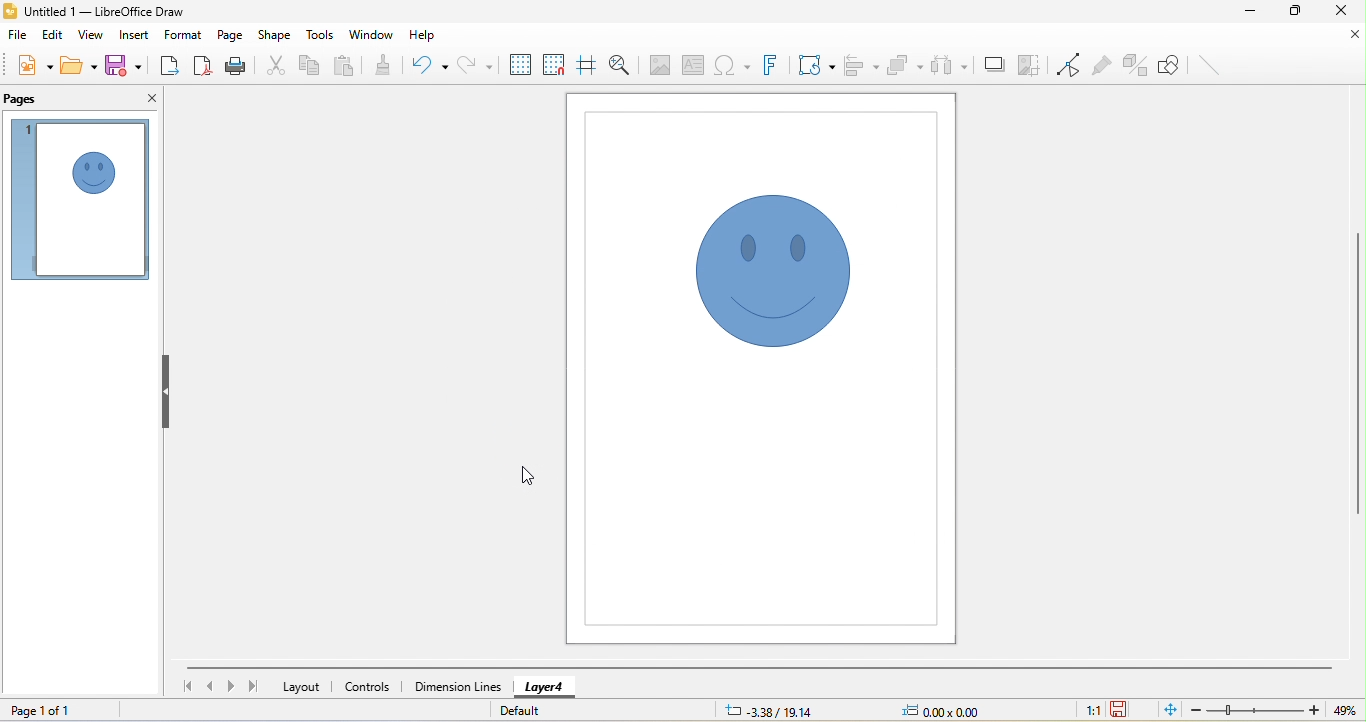 This screenshot has height=722, width=1366. Describe the element at coordinates (1357, 371) in the screenshot. I see ` vertical scroll bar` at that location.